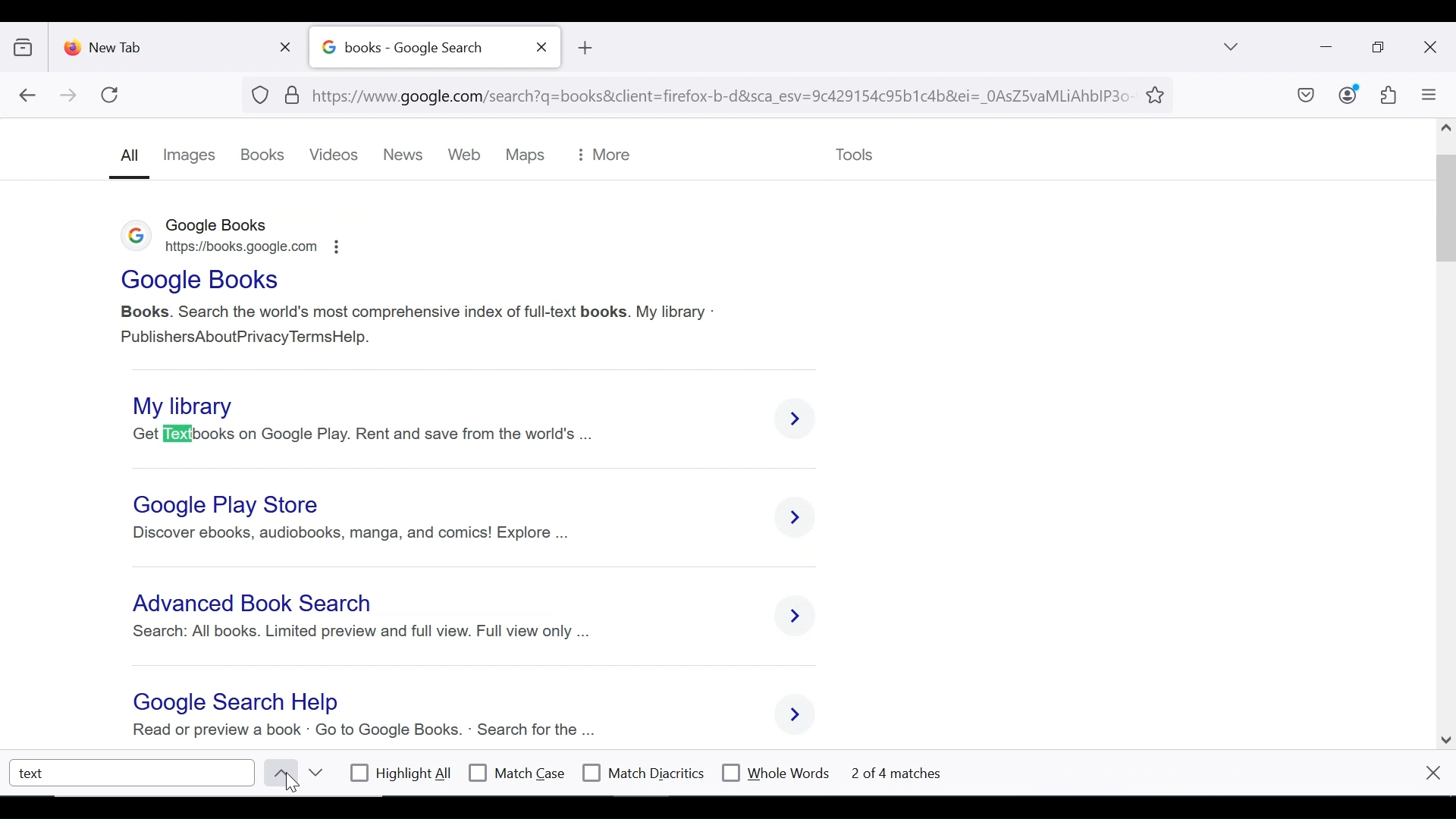 Image resolution: width=1456 pixels, height=819 pixels. What do you see at coordinates (603, 155) in the screenshot?
I see `more` at bounding box center [603, 155].